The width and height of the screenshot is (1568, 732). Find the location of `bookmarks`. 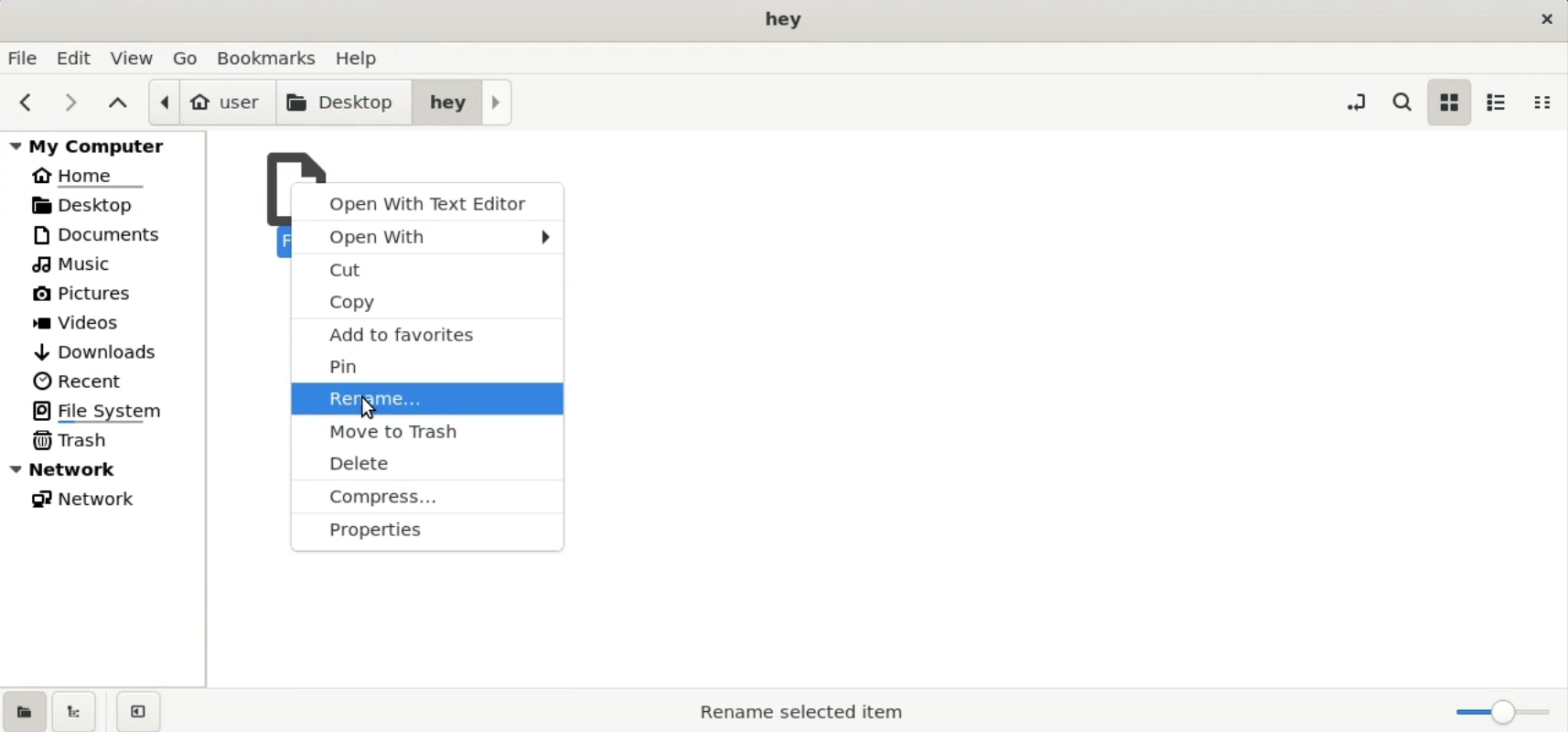

bookmarks is located at coordinates (272, 56).